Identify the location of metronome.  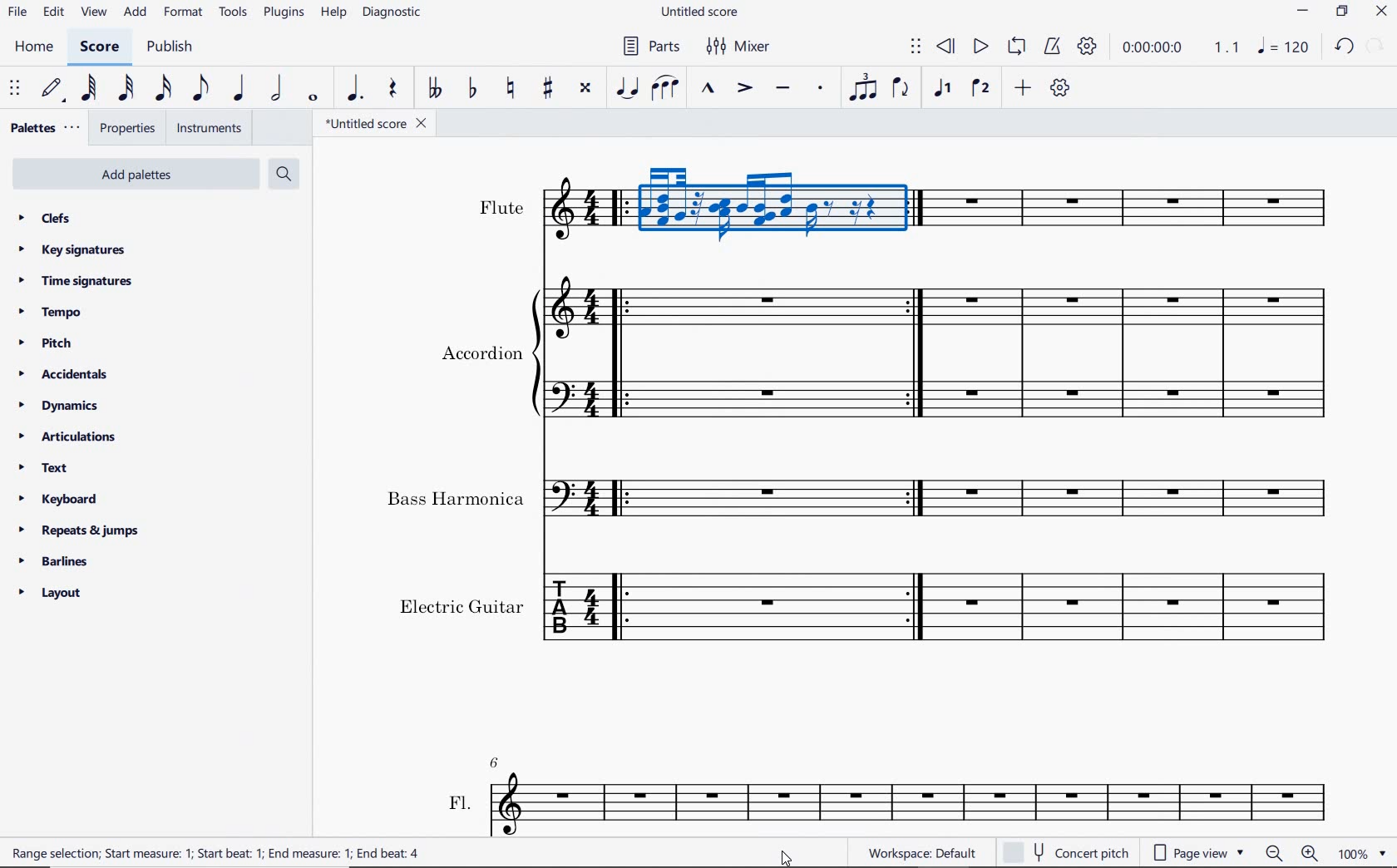
(1051, 47).